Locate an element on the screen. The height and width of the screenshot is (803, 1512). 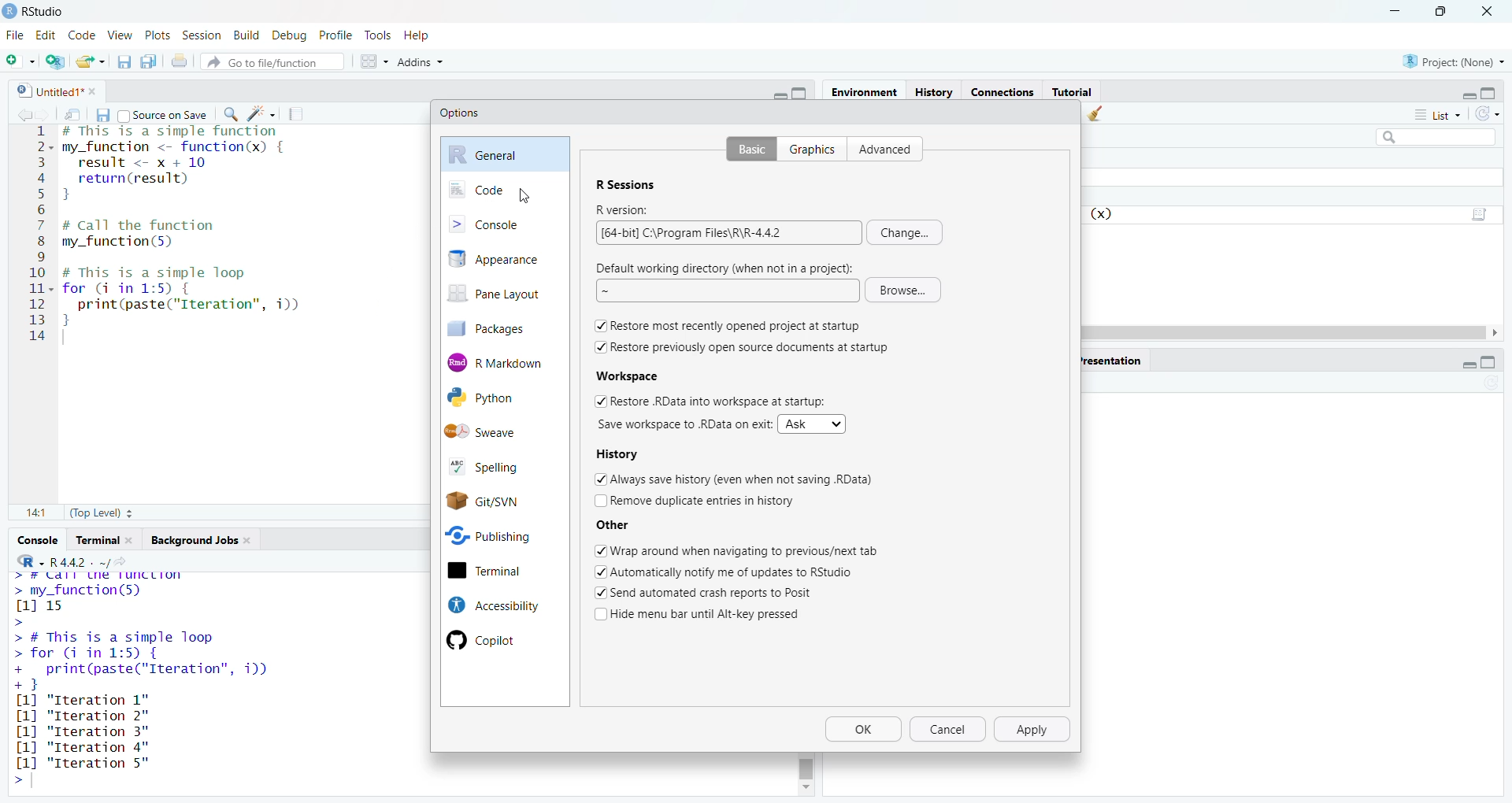
[1] "Iteration 3" is located at coordinates (81, 732).